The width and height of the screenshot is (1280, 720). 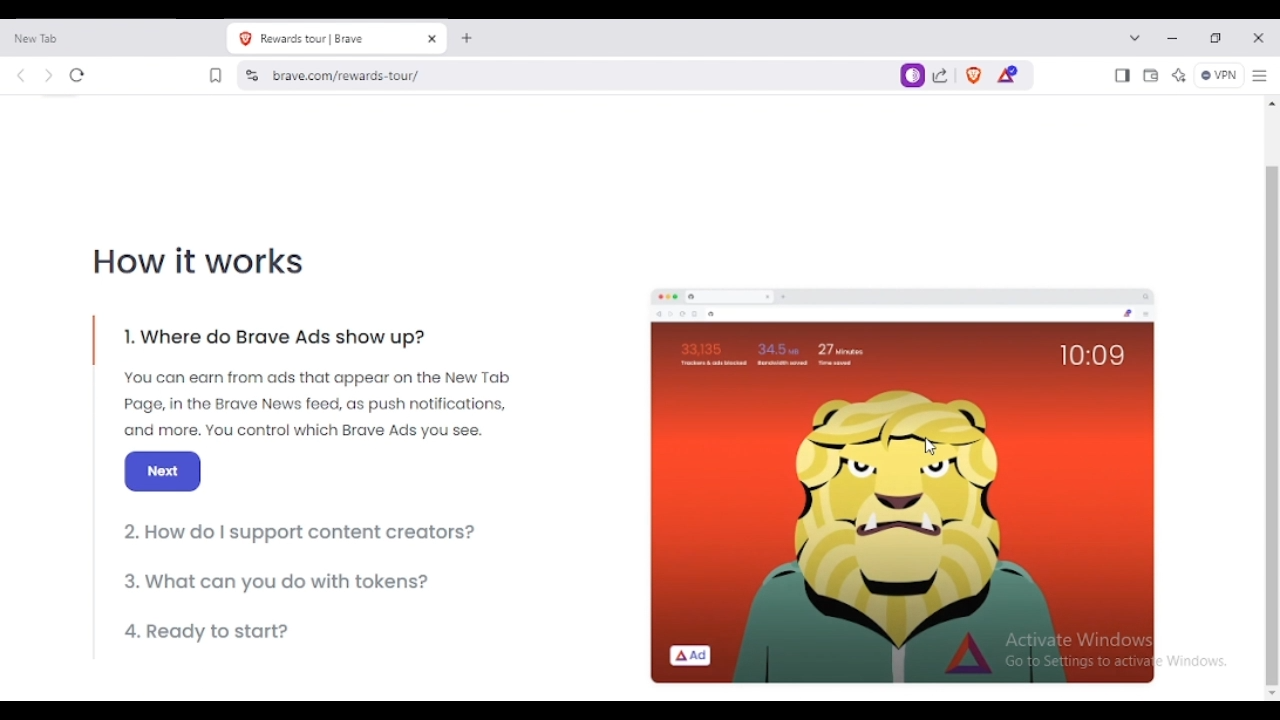 What do you see at coordinates (49, 77) in the screenshot?
I see `go forward` at bounding box center [49, 77].